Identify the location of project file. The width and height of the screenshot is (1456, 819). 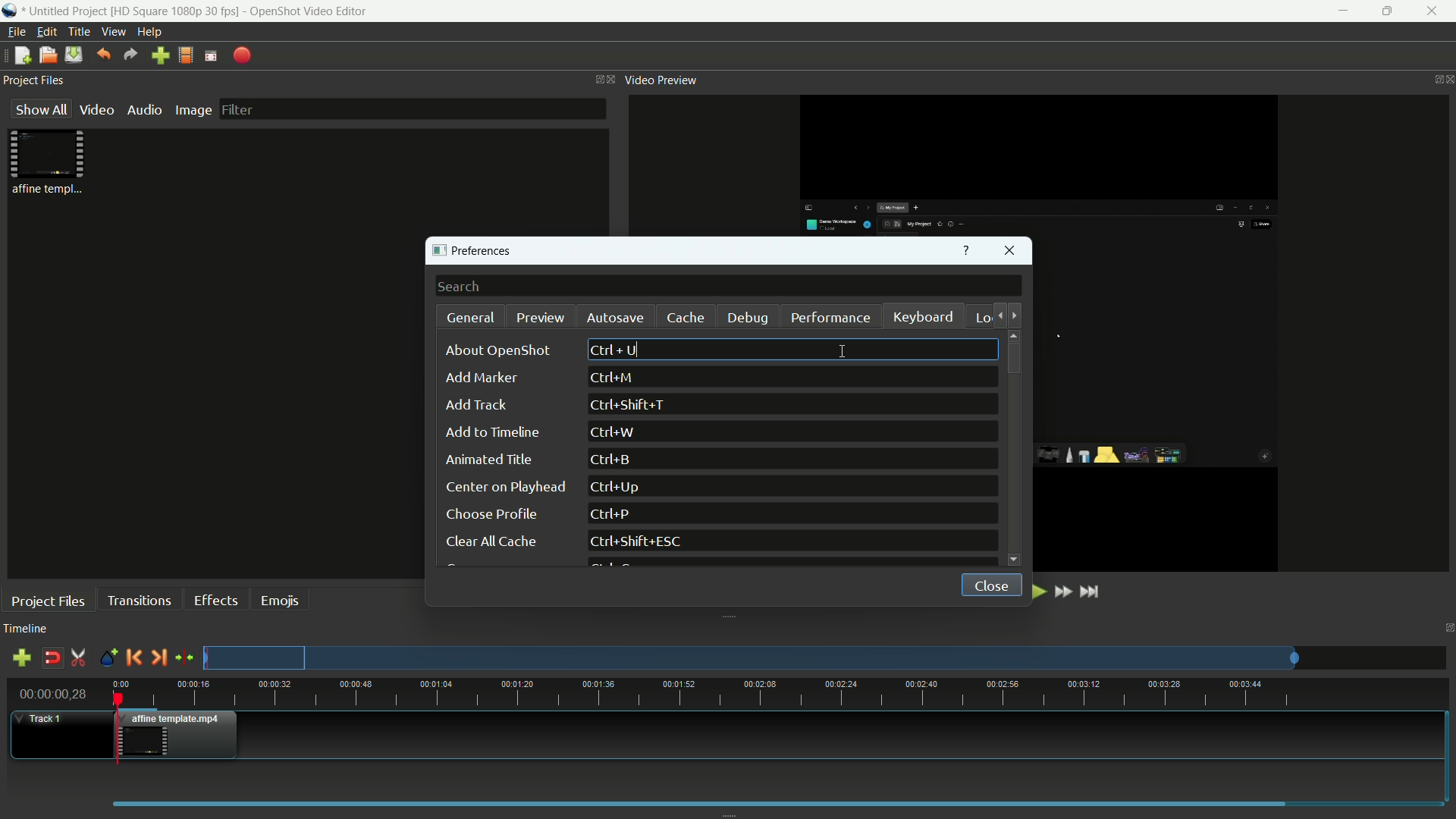
(49, 162).